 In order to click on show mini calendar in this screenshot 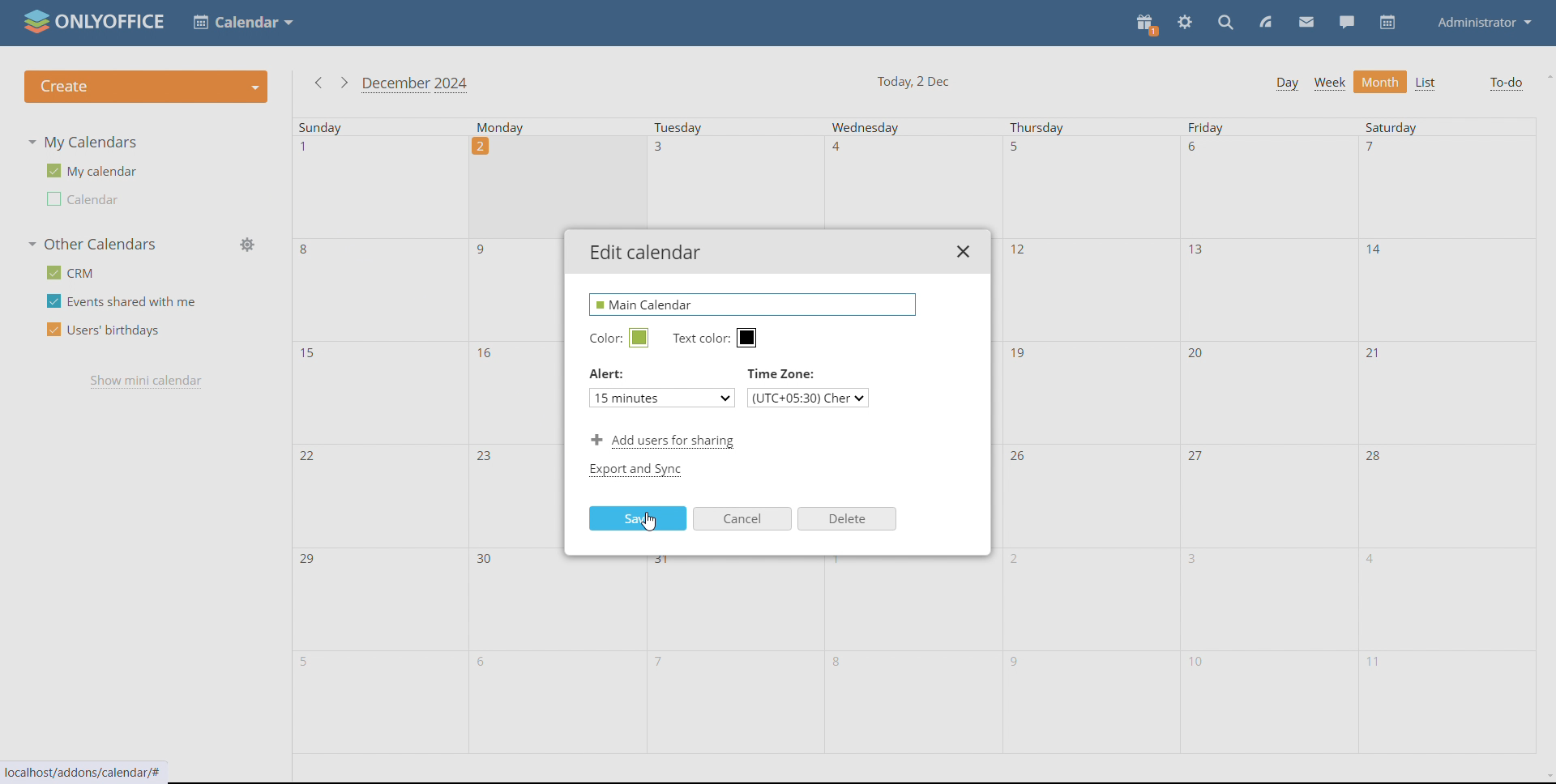, I will do `click(147, 382)`.